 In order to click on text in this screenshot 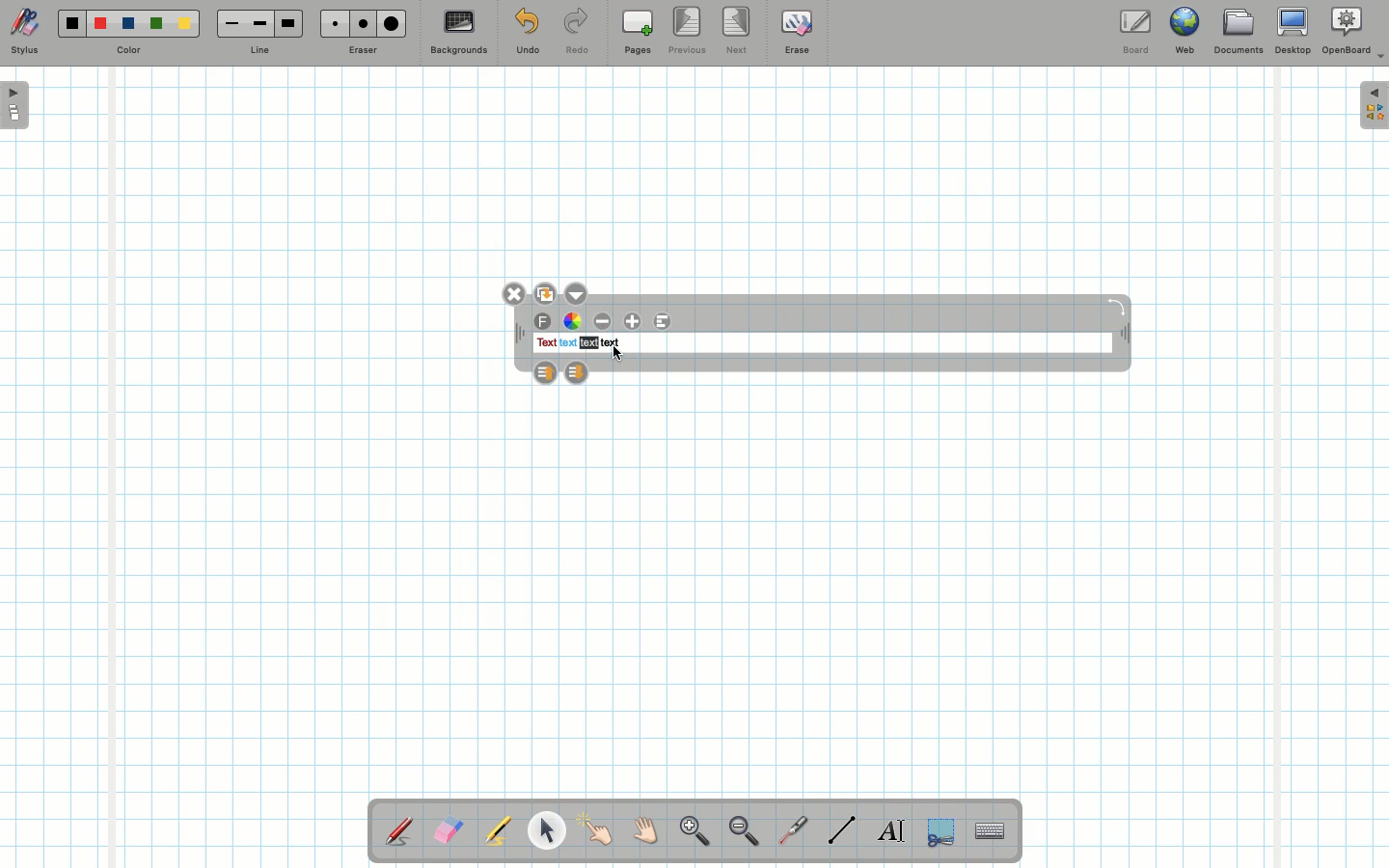, I will do `click(567, 343)`.